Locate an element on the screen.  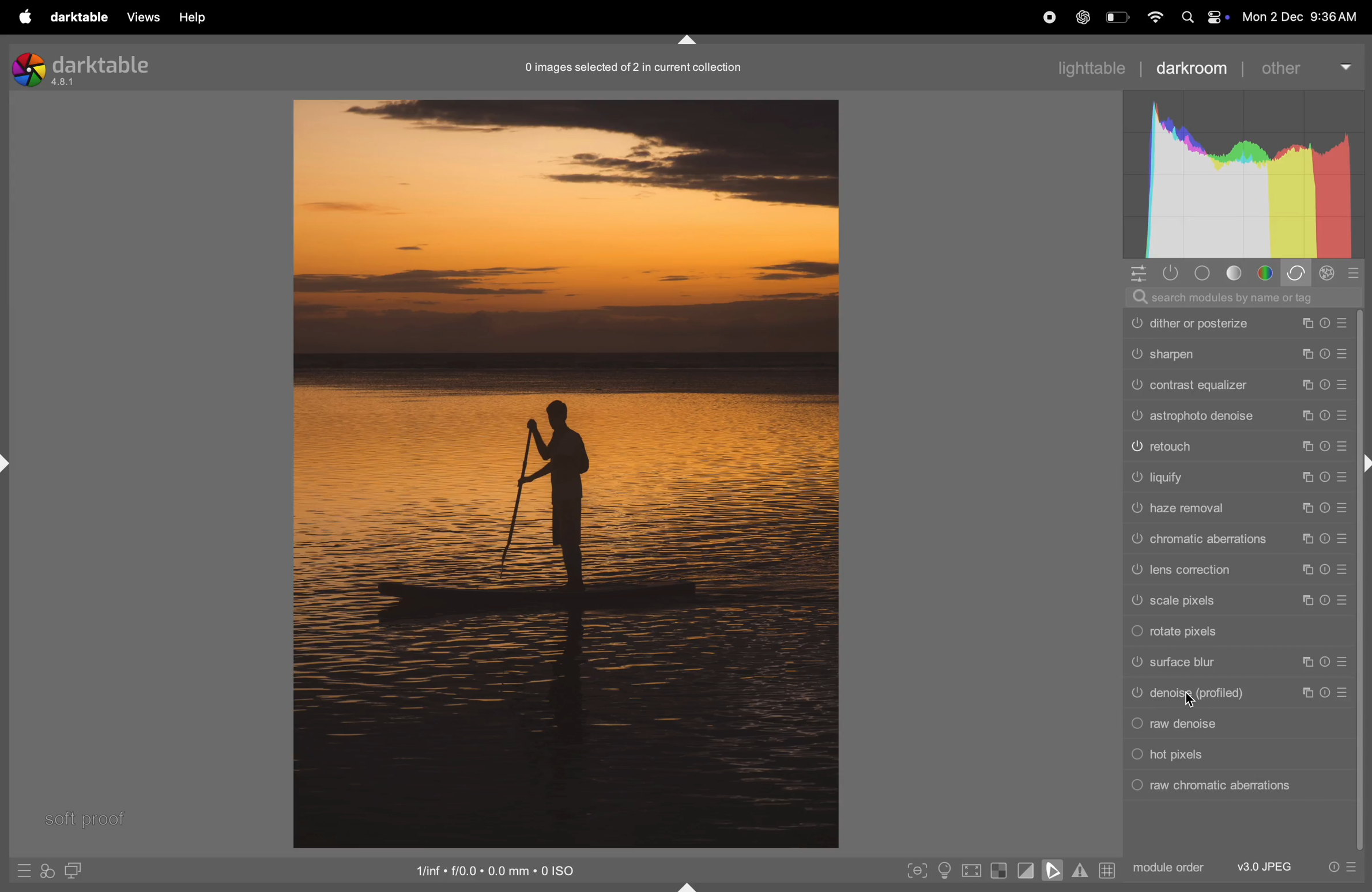
record is located at coordinates (1043, 18).